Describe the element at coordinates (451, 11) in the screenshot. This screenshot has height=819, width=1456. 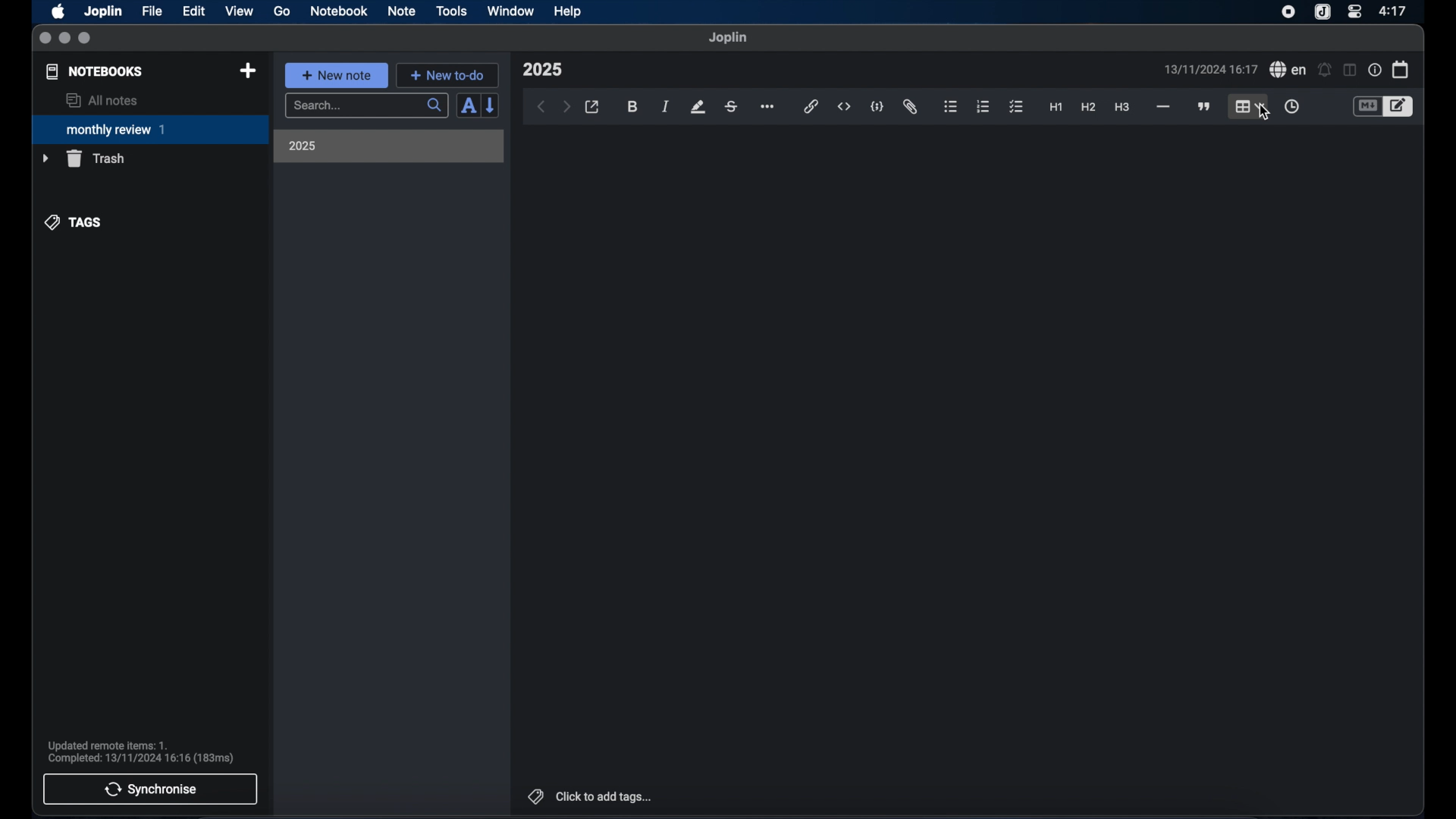
I see `tools` at that location.